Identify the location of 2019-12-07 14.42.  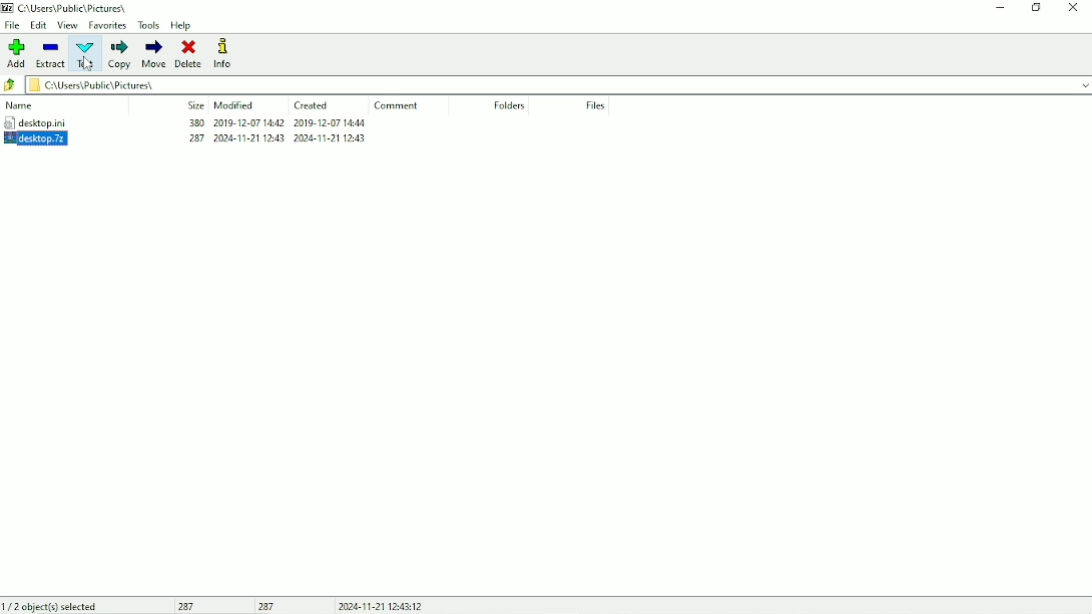
(252, 122).